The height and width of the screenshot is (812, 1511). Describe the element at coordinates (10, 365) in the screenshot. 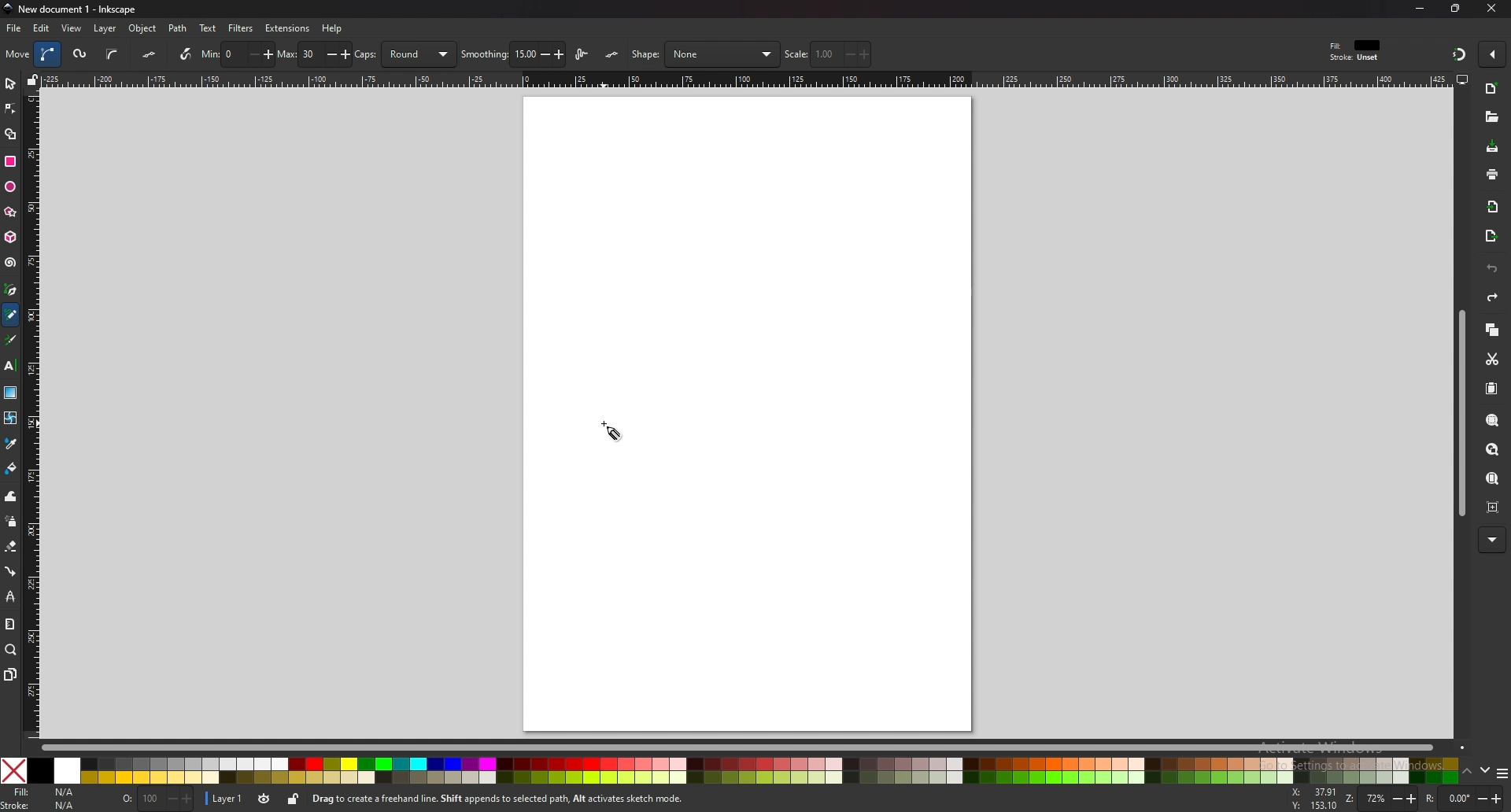

I see `text` at that location.